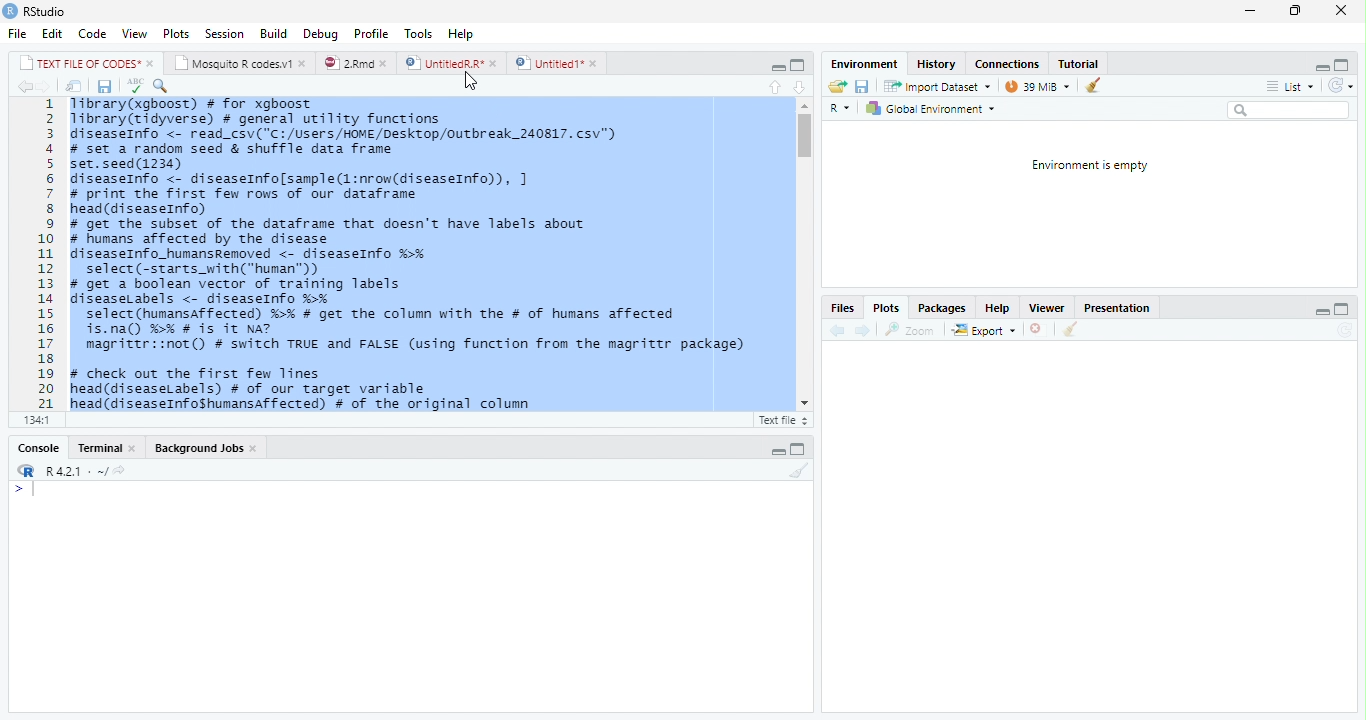 The width and height of the screenshot is (1366, 720). Describe the element at coordinates (105, 449) in the screenshot. I see `Terminal` at that location.